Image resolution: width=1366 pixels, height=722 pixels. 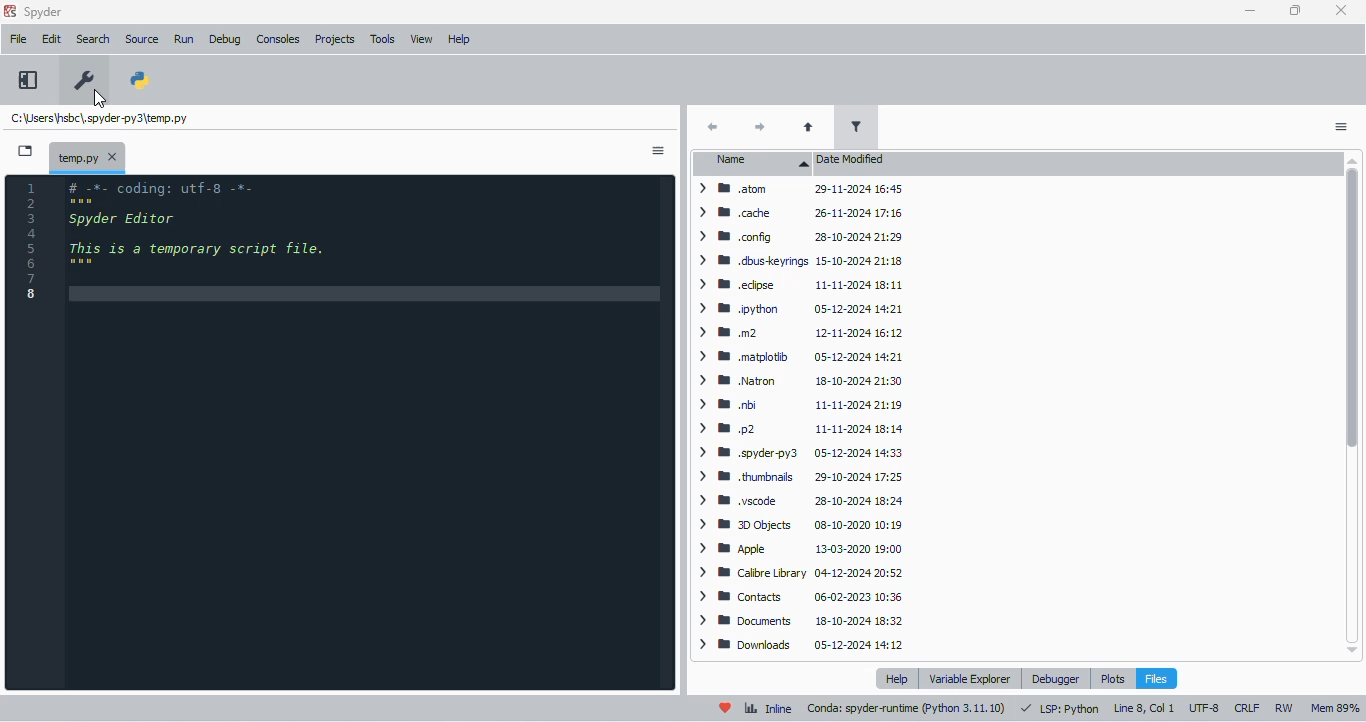 What do you see at coordinates (801, 645) in the screenshot?
I see `> MB Downloads ~~ 05-12-2024 14:12` at bounding box center [801, 645].